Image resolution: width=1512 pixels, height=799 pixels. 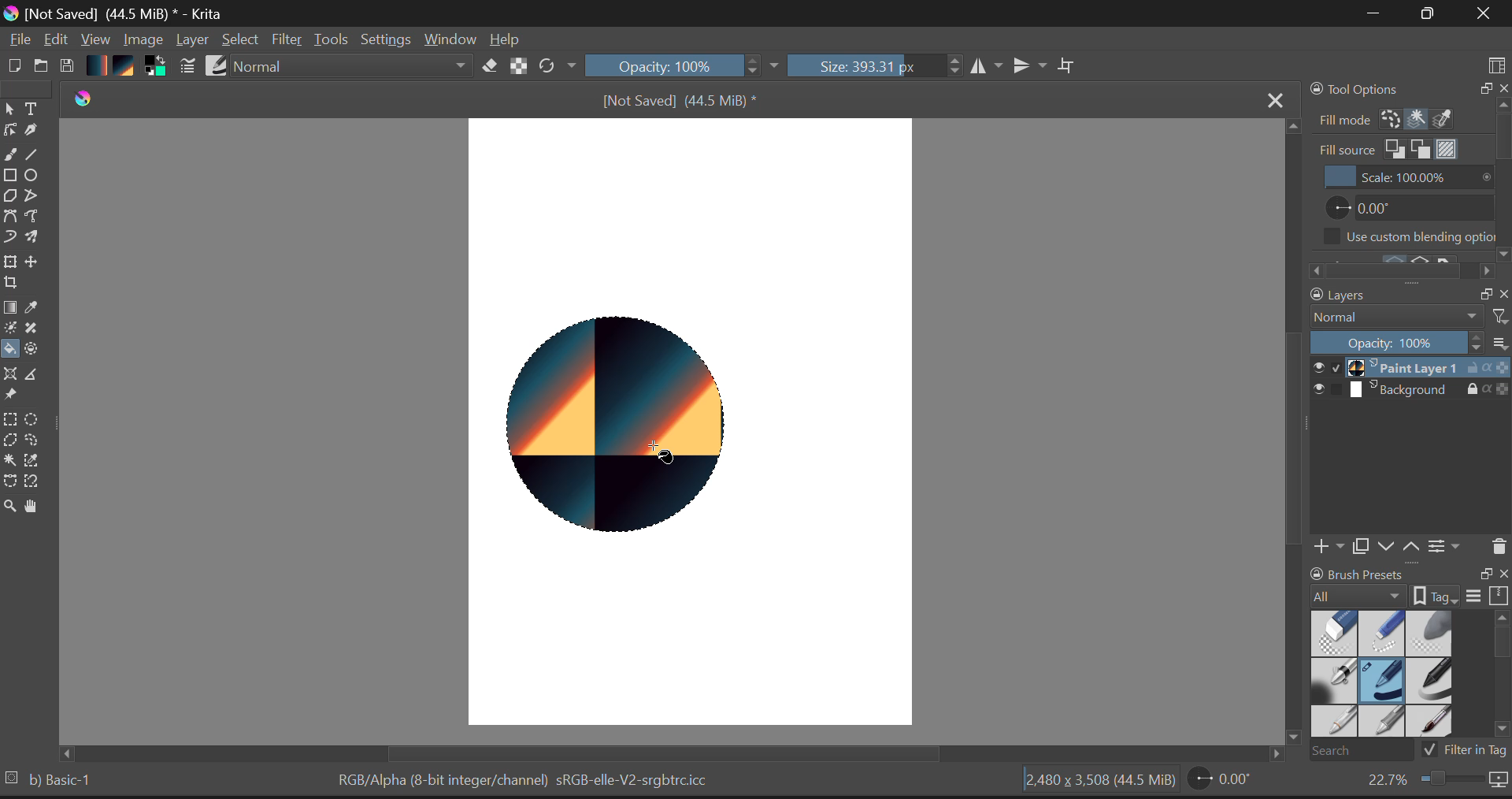 What do you see at coordinates (96, 41) in the screenshot?
I see `View` at bounding box center [96, 41].